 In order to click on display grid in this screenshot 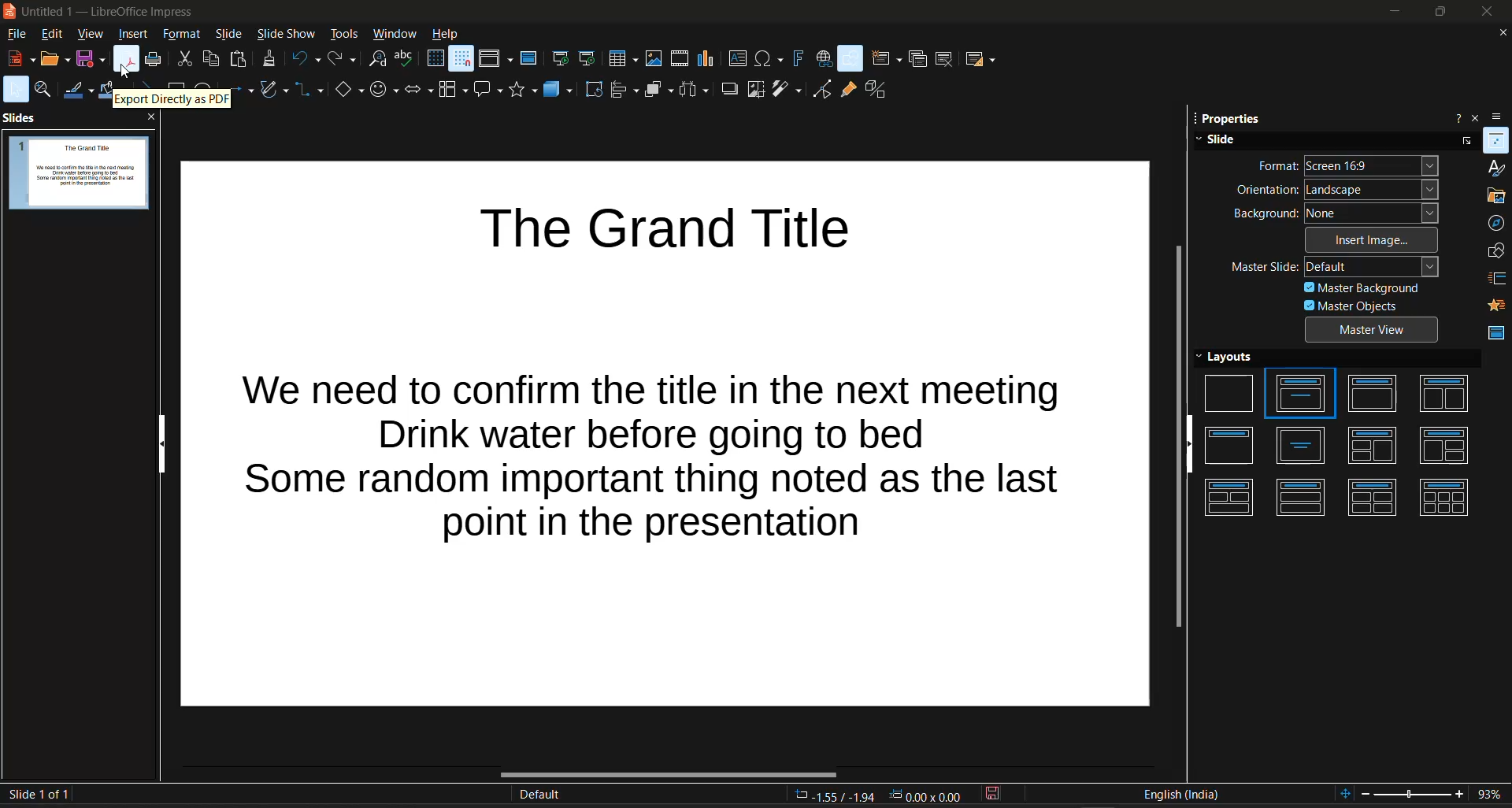, I will do `click(432, 58)`.